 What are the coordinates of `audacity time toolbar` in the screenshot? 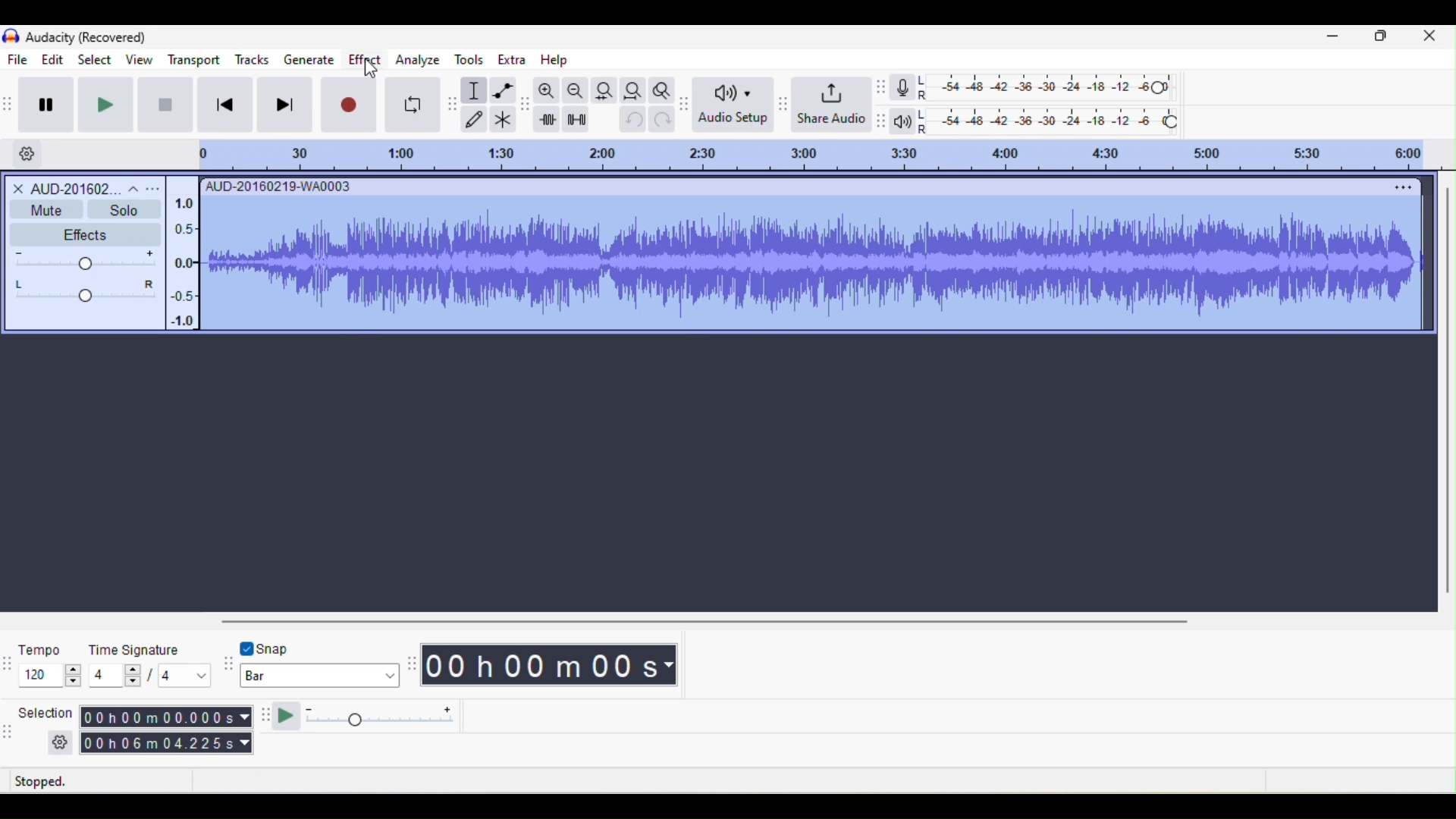 It's located at (411, 664).